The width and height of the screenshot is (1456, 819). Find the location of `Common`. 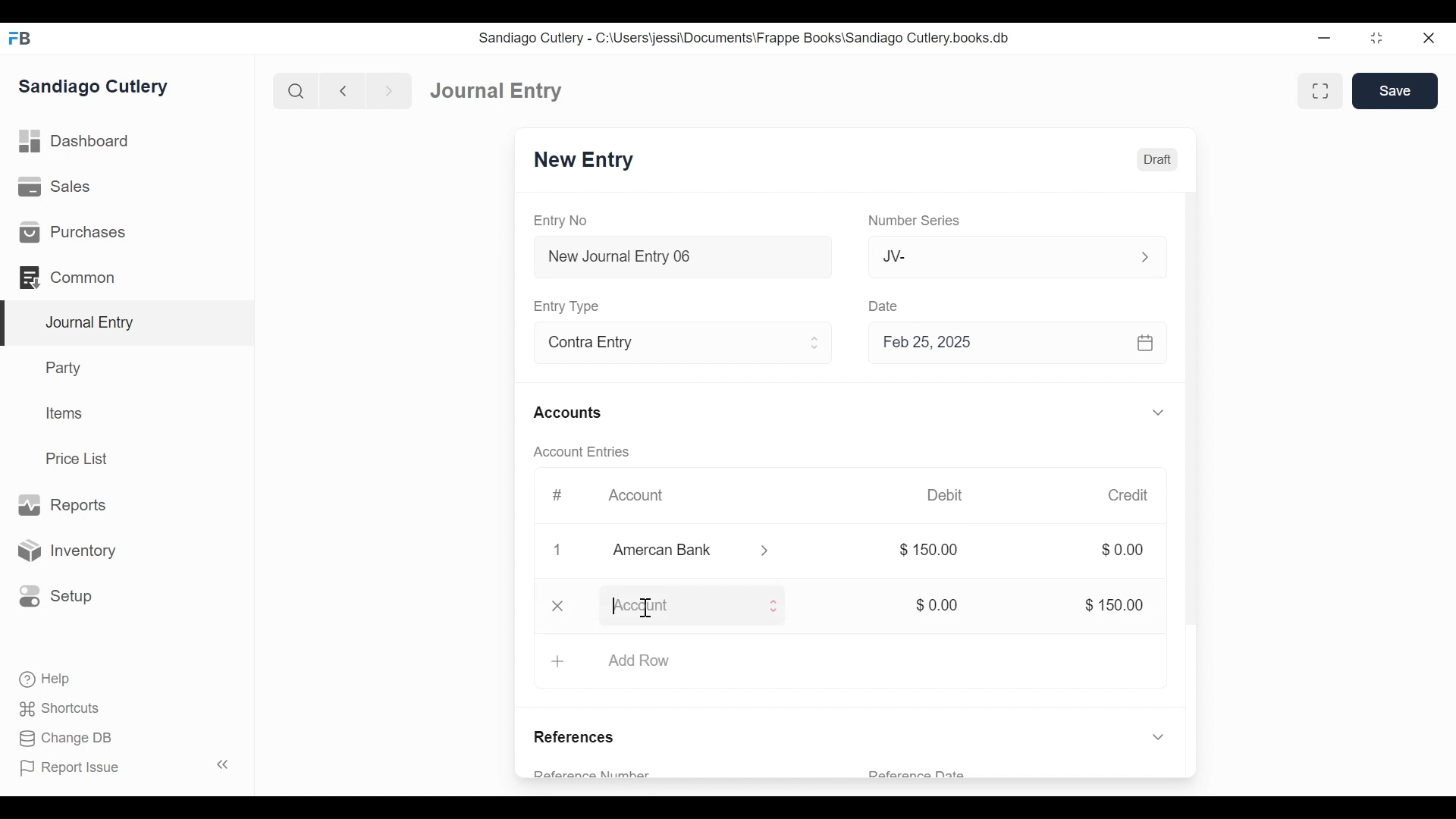

Common is located at coordinates (75, 278).